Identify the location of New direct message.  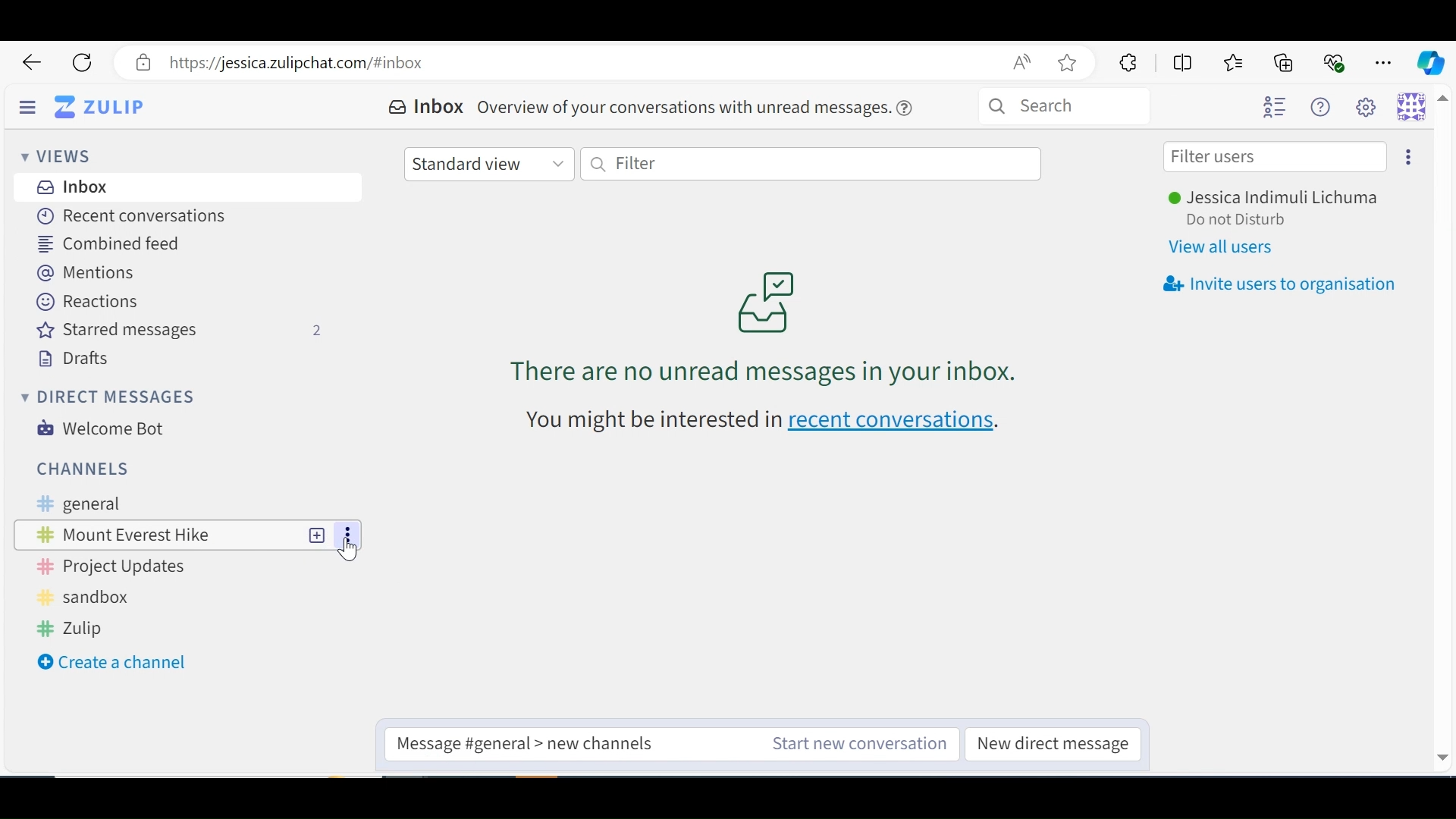
(1052, 745).